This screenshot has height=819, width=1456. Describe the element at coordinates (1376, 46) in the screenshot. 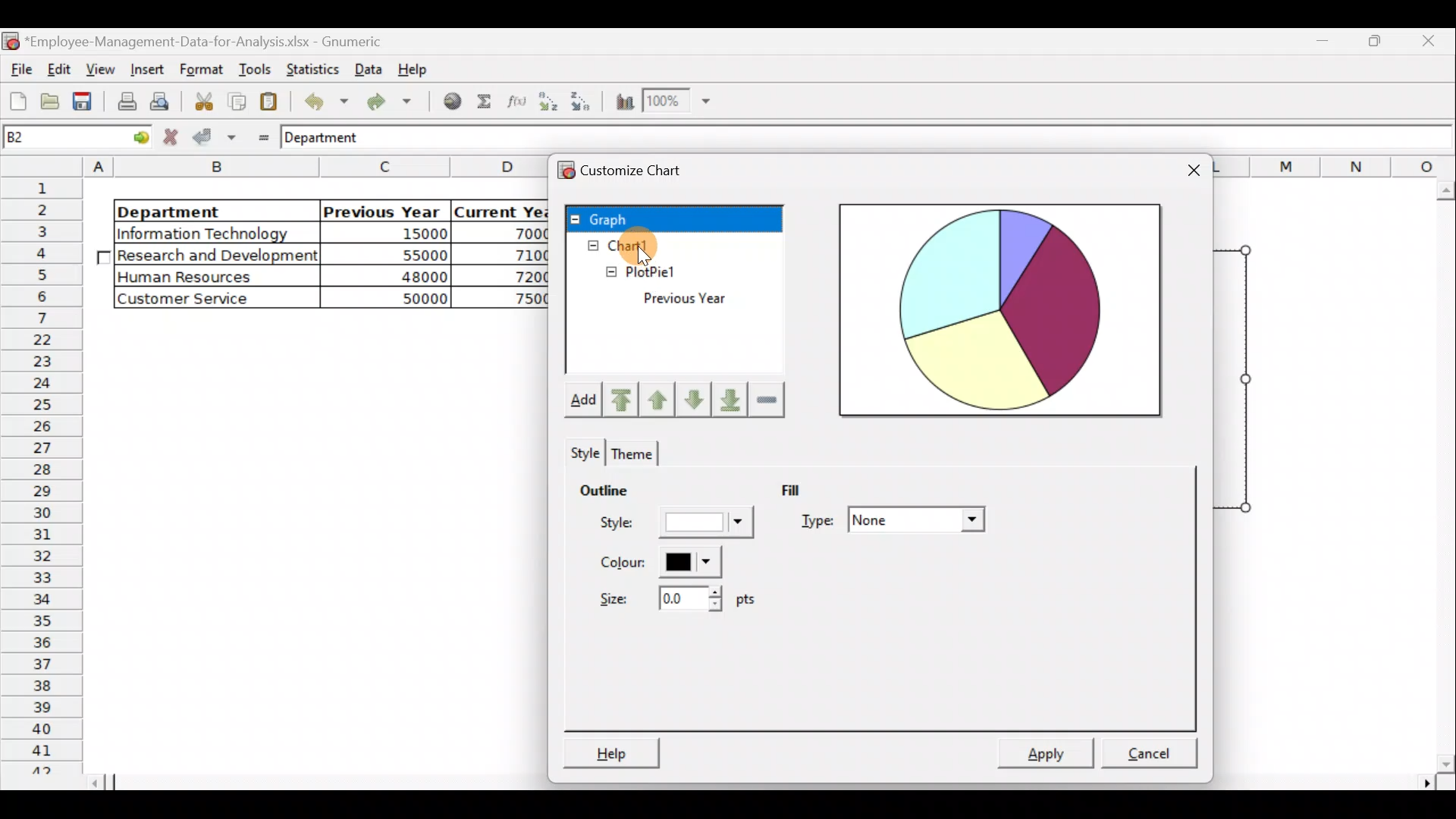

I see `Minimize` at that location.